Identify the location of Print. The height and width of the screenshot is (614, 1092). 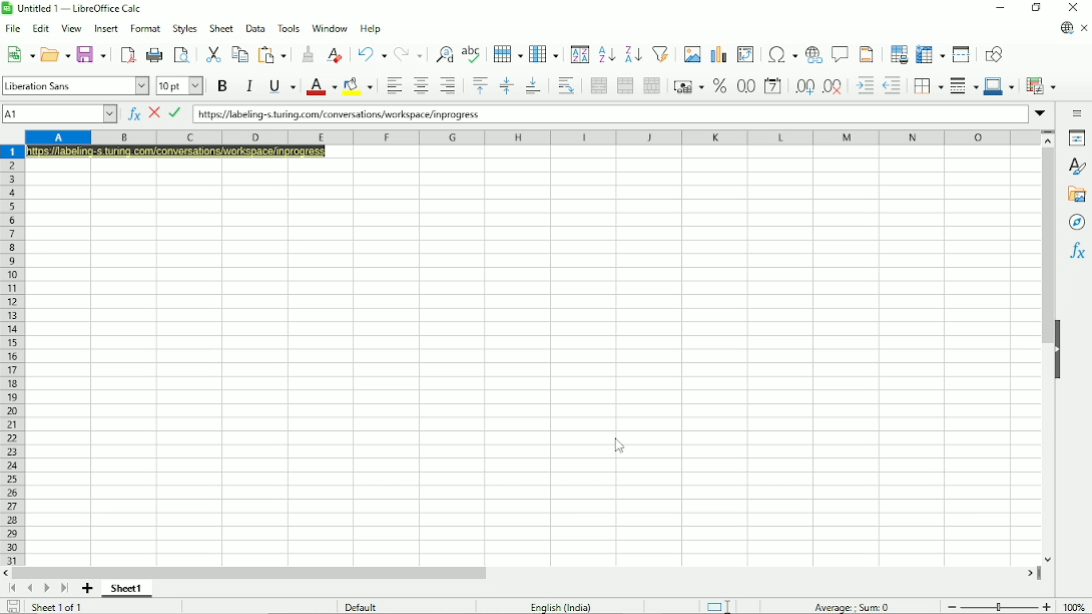
(154, 55).